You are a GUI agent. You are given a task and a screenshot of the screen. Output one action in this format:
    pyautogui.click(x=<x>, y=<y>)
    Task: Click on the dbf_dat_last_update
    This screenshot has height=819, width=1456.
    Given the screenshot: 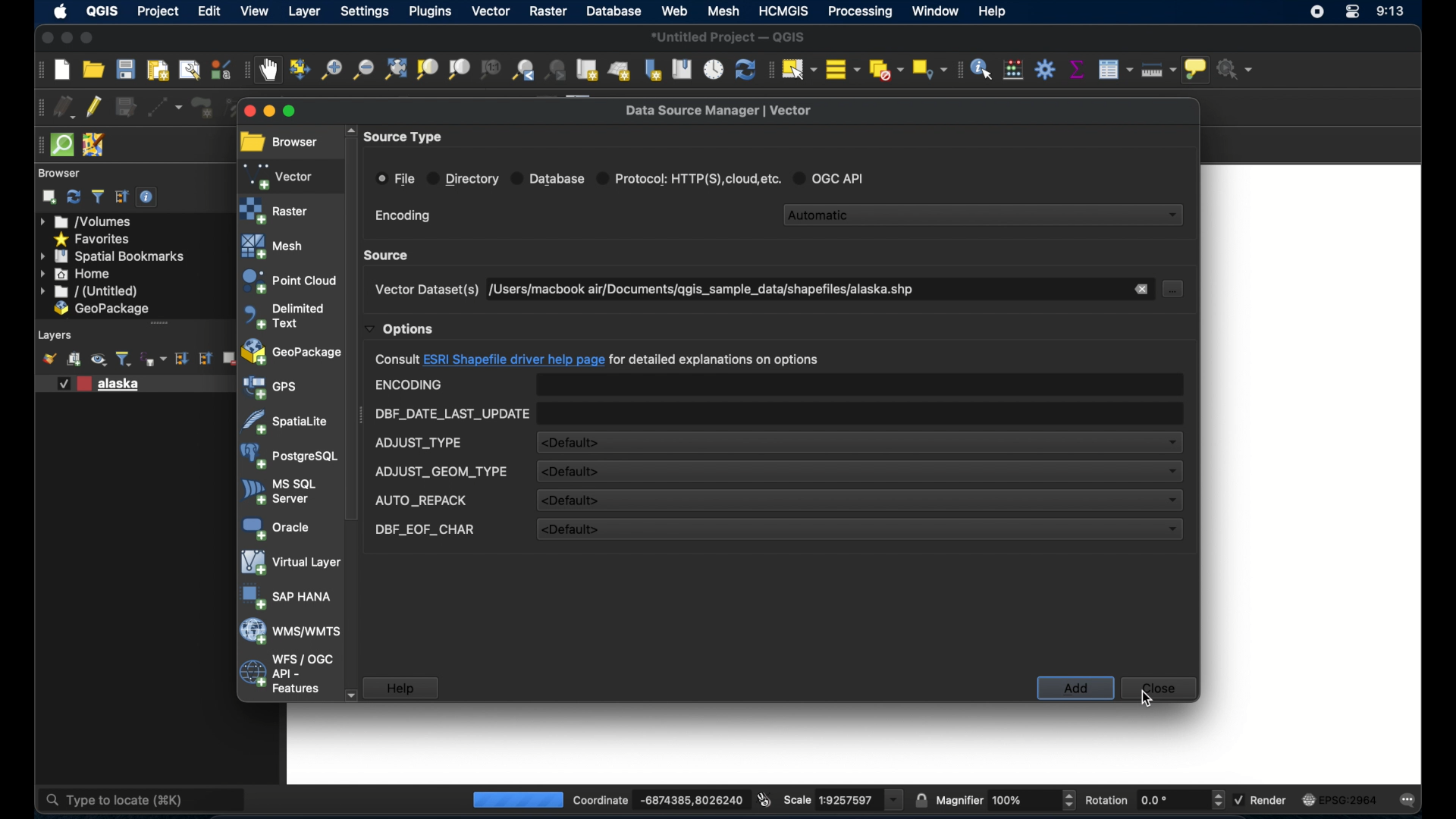 What is the action you would take?
    pyautogui.click(x=451, y=414)
    